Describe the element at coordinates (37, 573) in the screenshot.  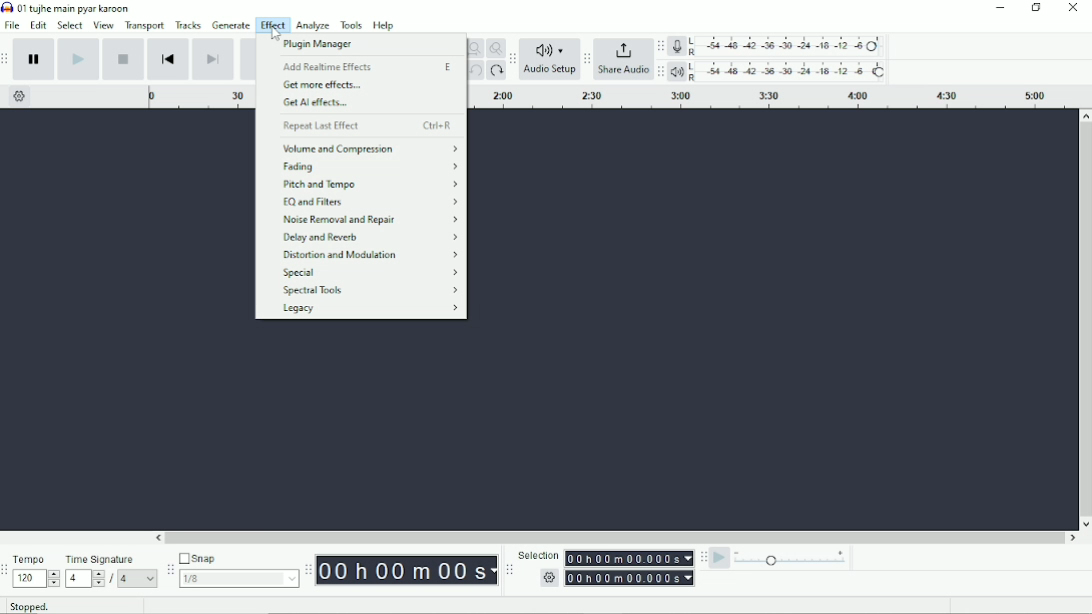
I see `Tempo` at that location.